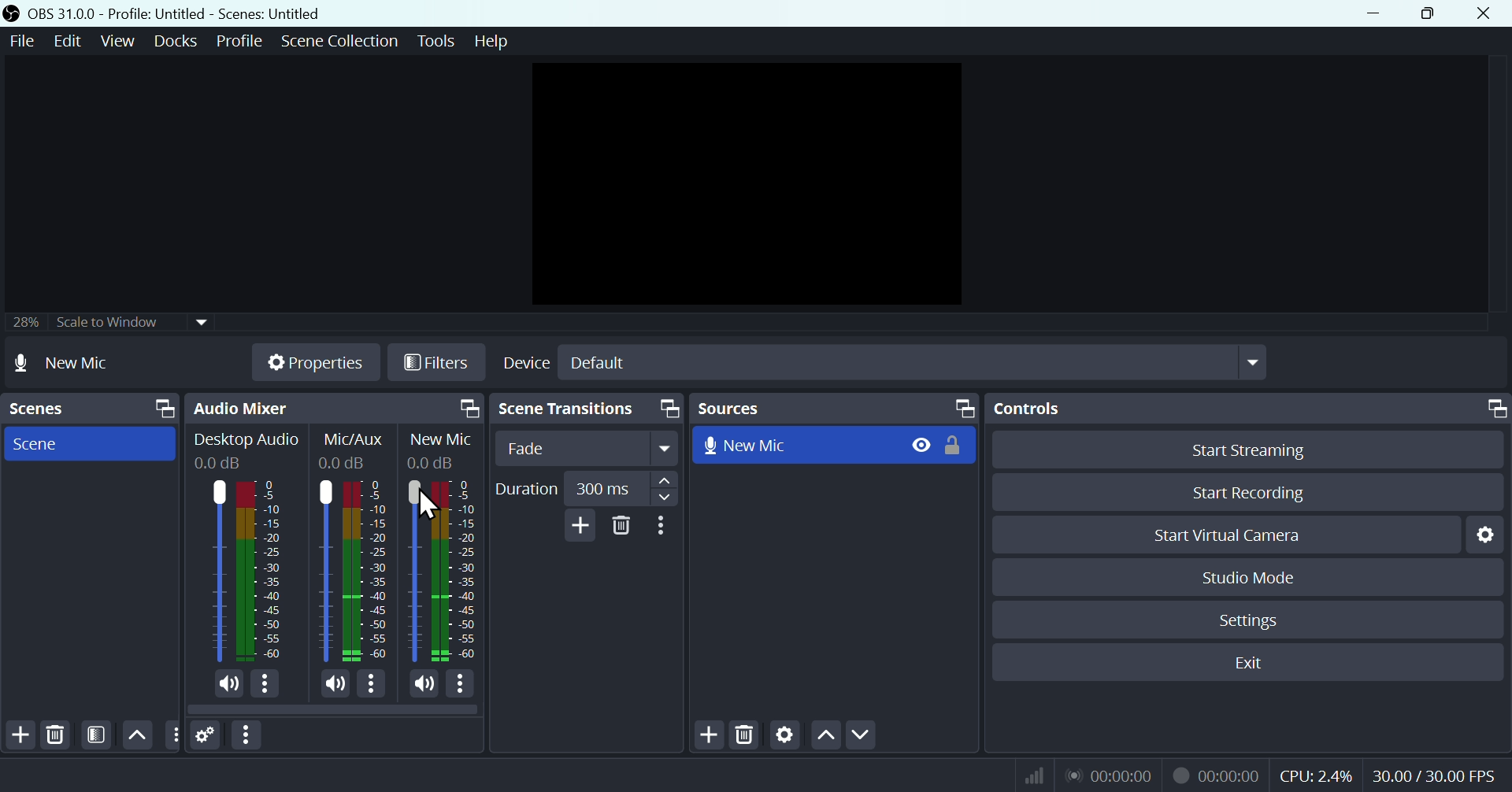 The width and height of the screenshot is (1512, 792). I want to click on Cursor, so click(431, 505).